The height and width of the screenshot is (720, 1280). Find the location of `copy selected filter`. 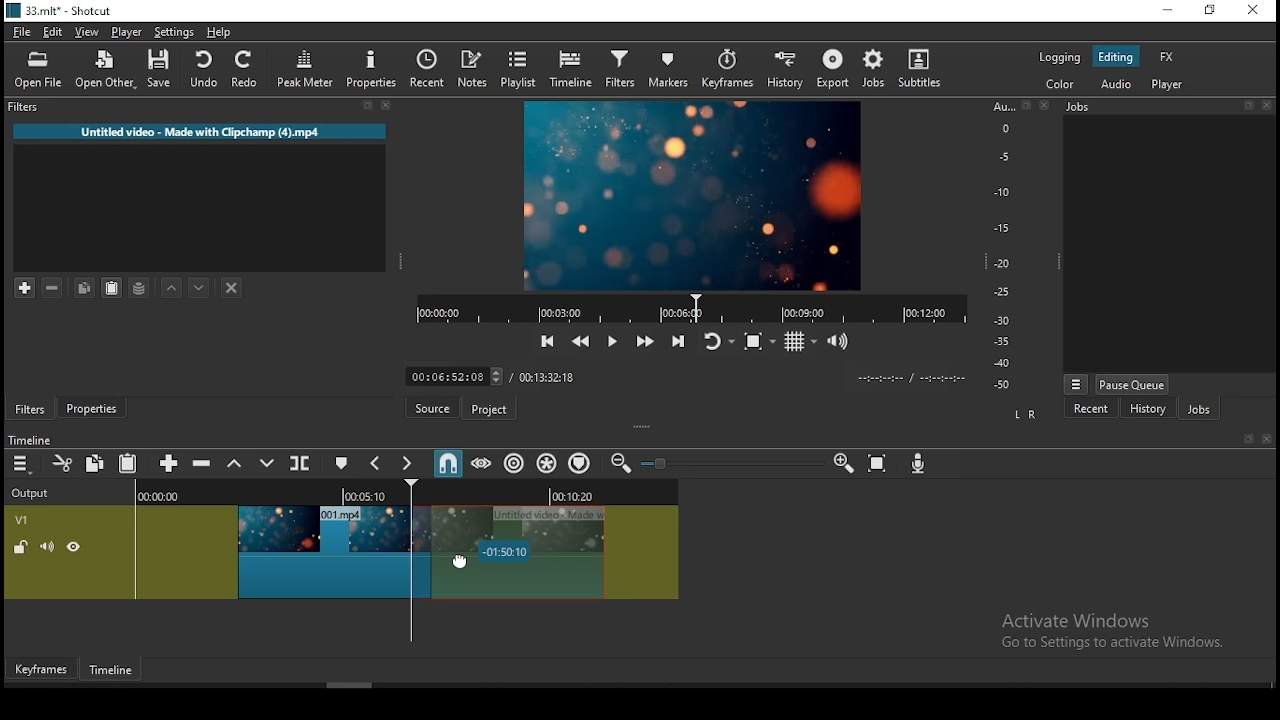

copy selected filter is located at coordinates (85, 288).